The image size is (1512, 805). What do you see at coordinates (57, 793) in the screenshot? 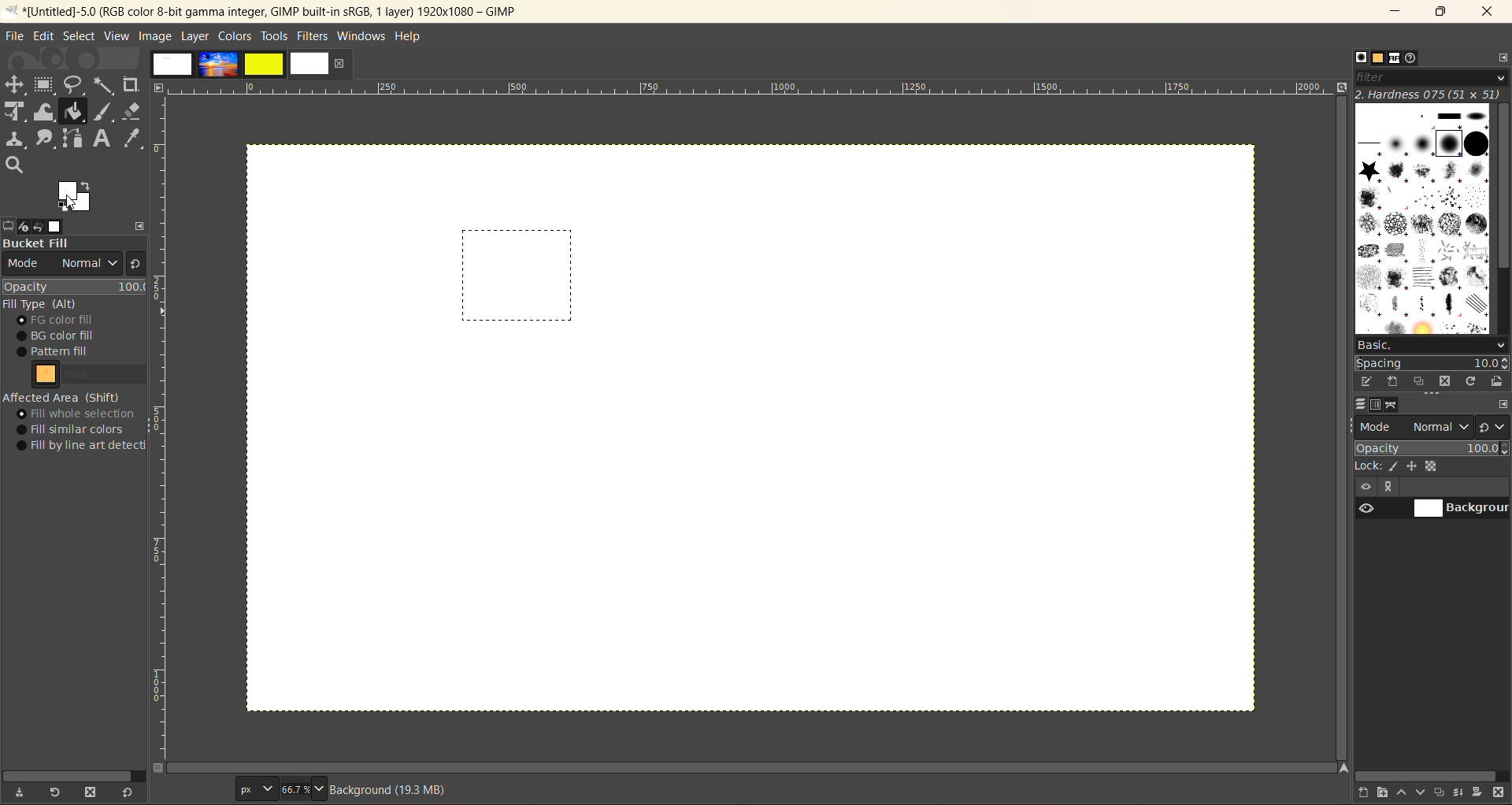
I see `restore tool preset` at bounding box center [57, 793].